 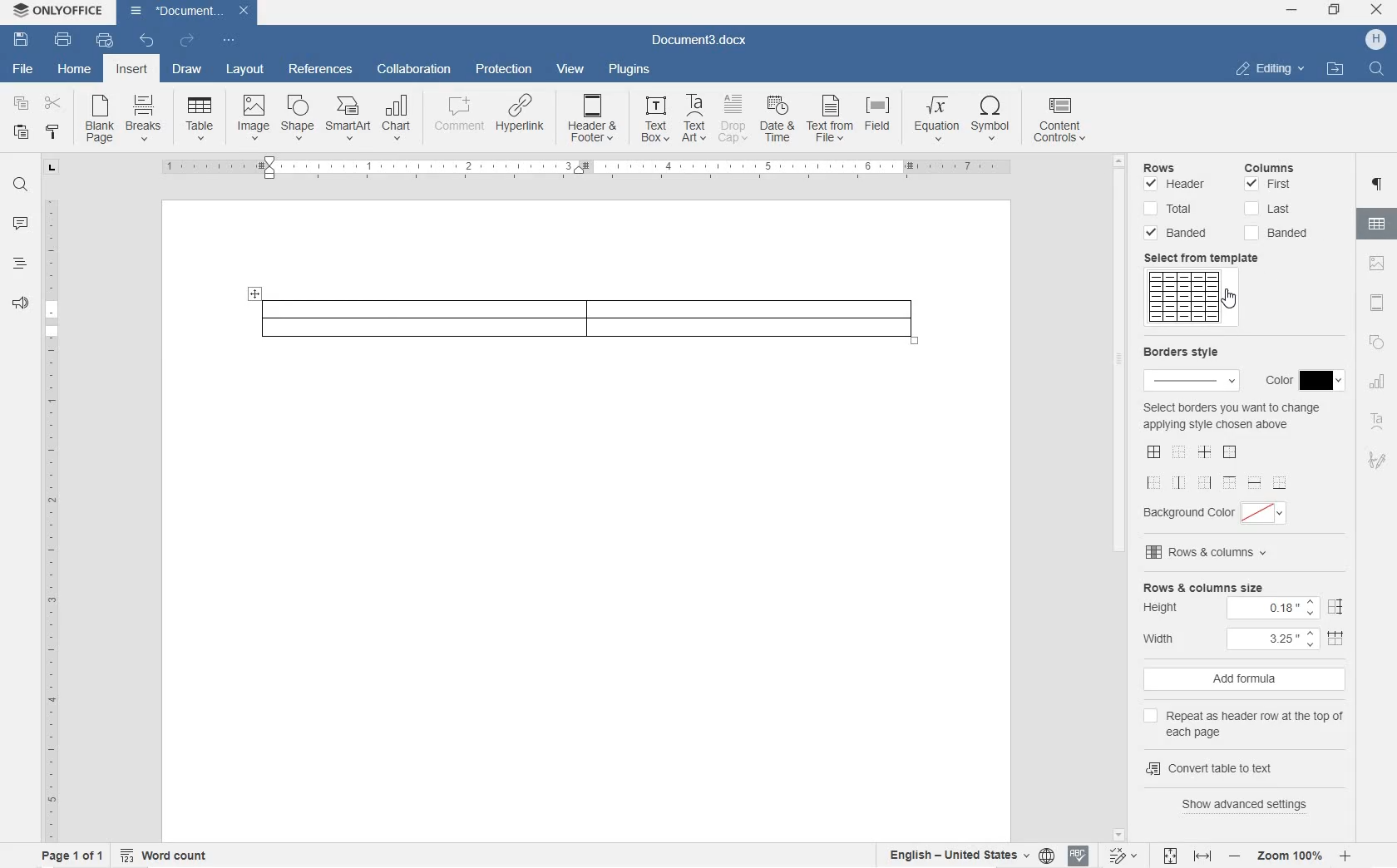 What do you see at coordinates (695, 118) in the screenshot?
I see `TextArt` at bounding box center [695, 118].